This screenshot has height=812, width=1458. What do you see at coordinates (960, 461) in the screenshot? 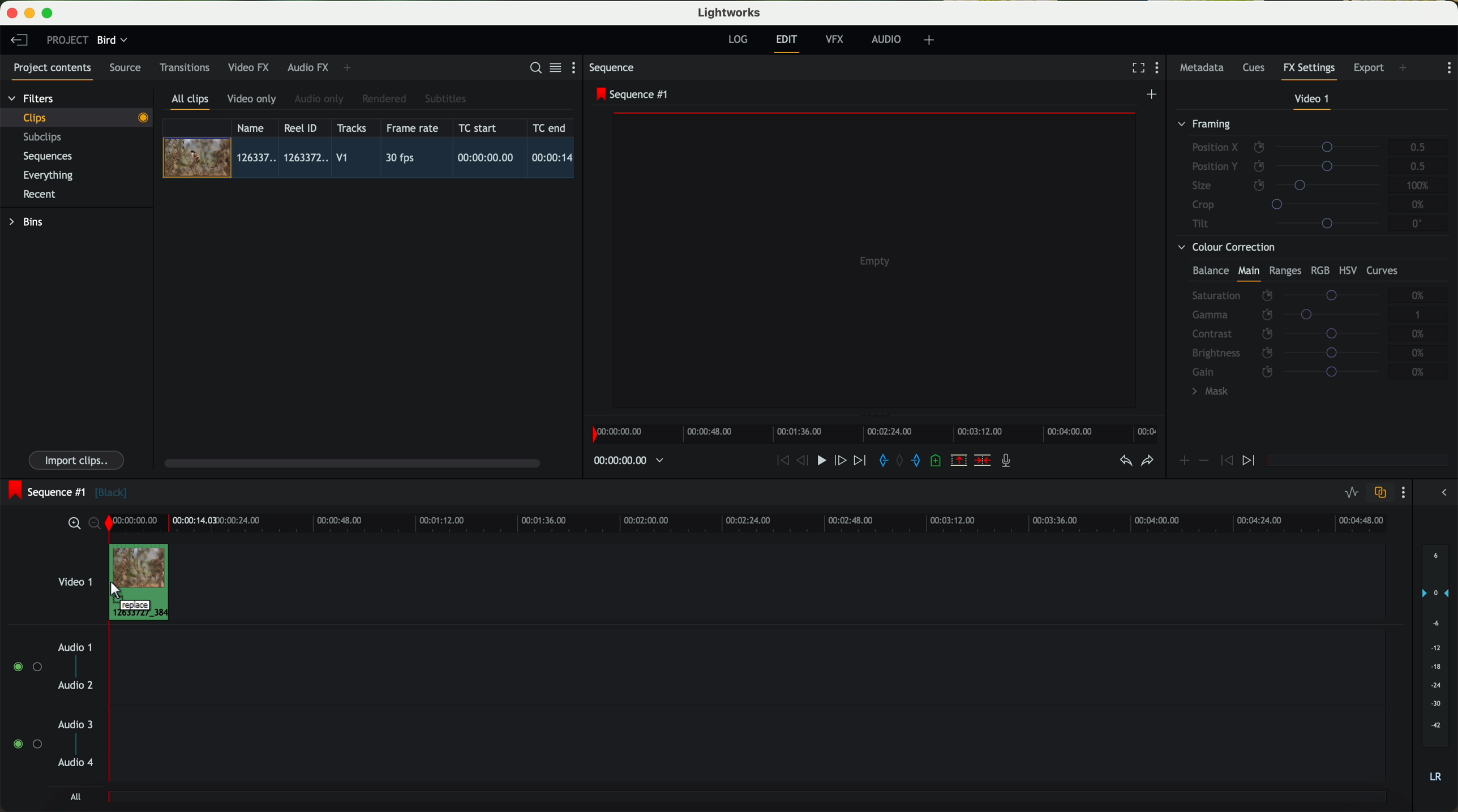
I see `remove the marked section` at bounding box center [960, 461].